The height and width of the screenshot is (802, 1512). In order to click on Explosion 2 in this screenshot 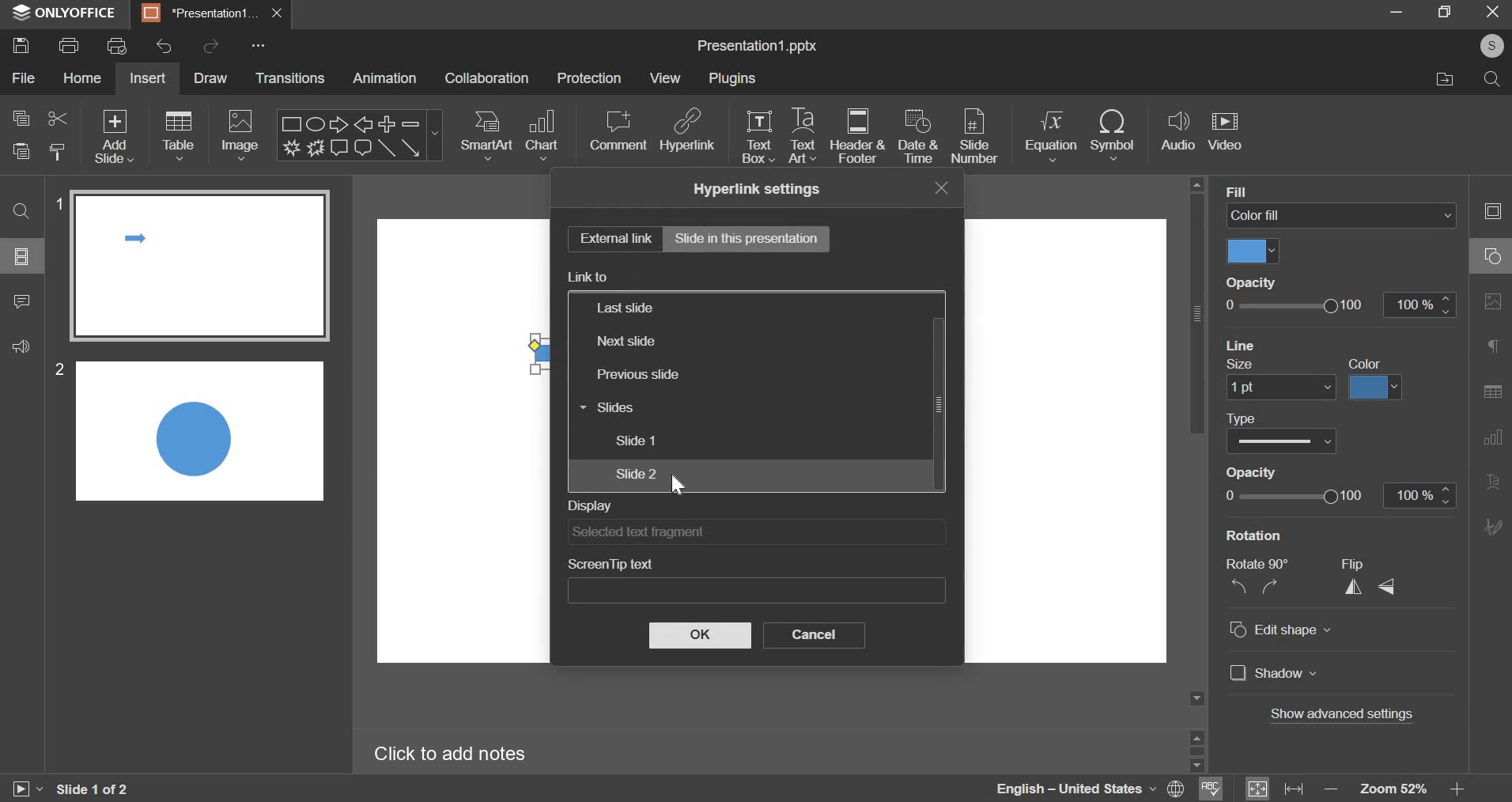, I will do `click(316, 147)`.